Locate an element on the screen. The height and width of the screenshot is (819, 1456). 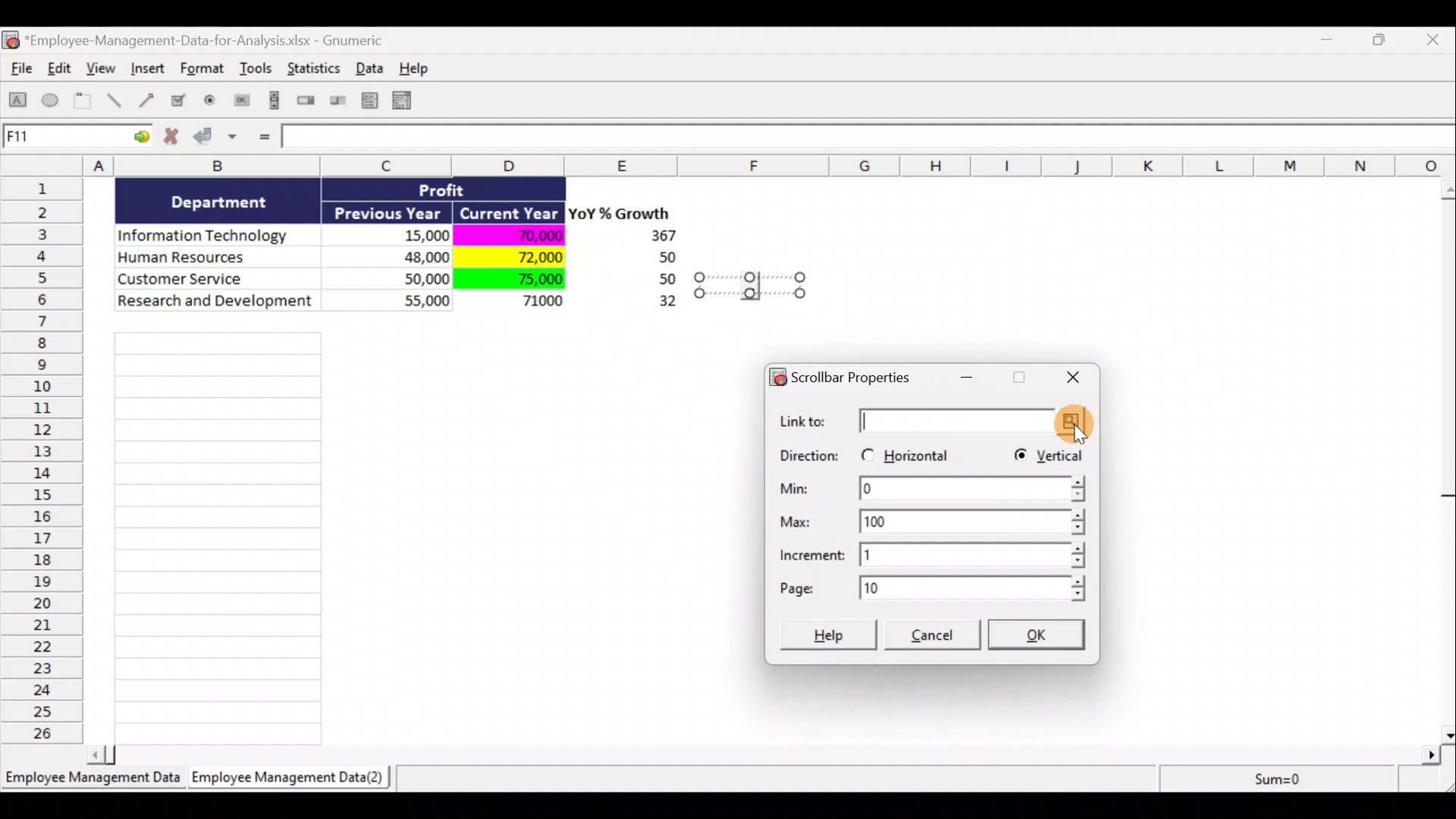
Vertical is located at coordinates (1047, 458).